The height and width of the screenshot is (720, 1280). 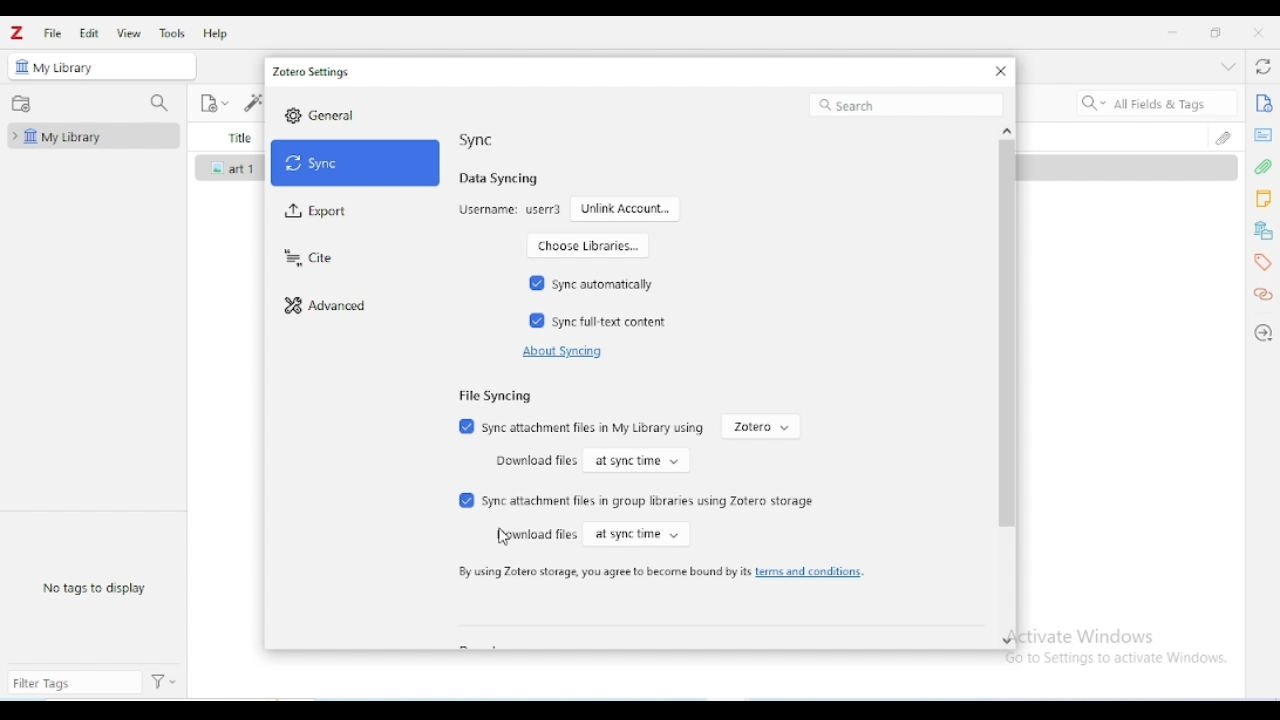 What do you see at coordinates (1263, 135) in the screenshot?
I see `abstract` at bounding box center [1263, 135].